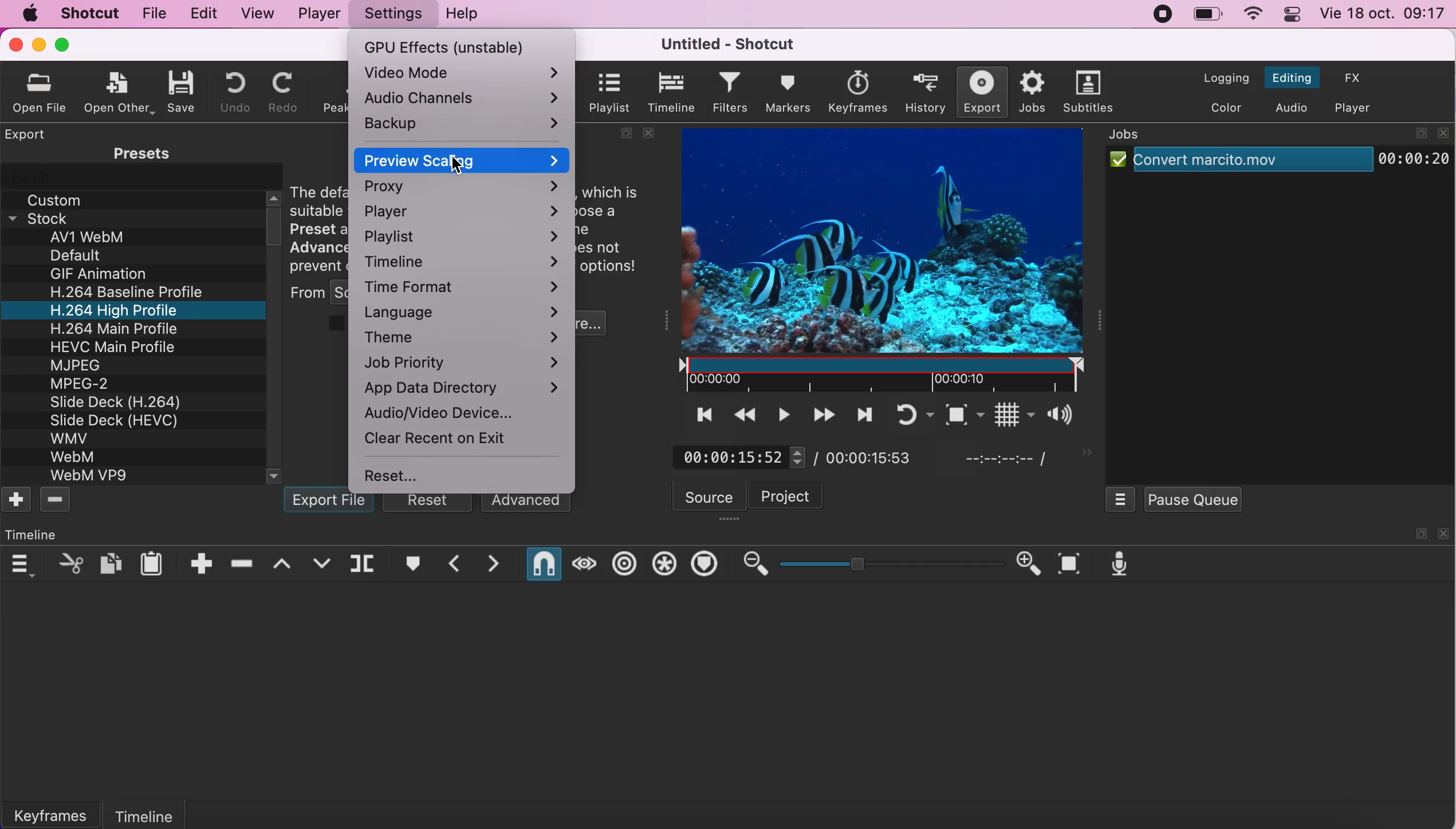 This screenshot has height=829, width=1456. Describe the element at coordinates (790, 93) in the screenshot. I see `markers` at that location.